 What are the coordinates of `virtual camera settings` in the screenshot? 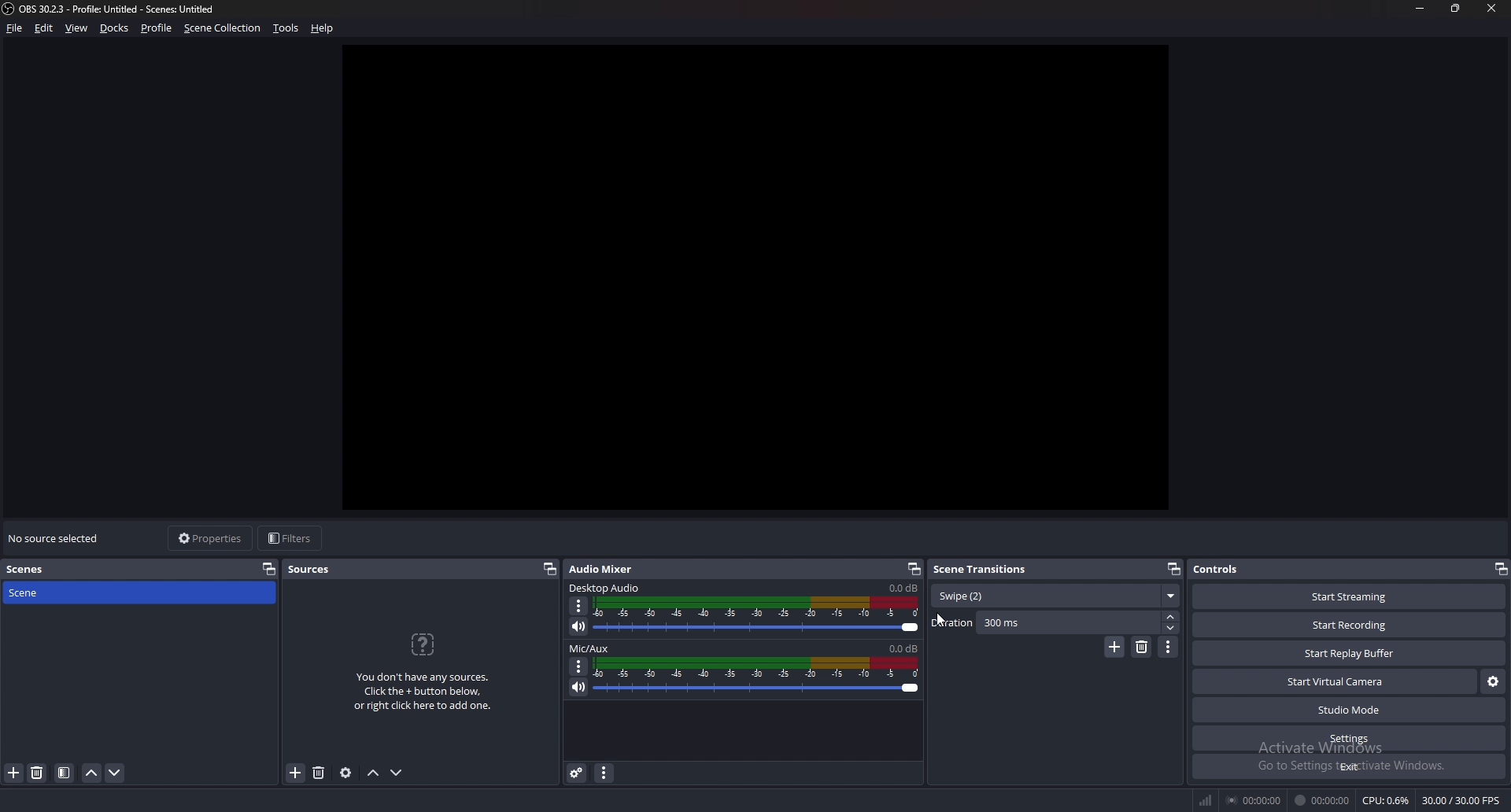 It's located at (1493, 681).